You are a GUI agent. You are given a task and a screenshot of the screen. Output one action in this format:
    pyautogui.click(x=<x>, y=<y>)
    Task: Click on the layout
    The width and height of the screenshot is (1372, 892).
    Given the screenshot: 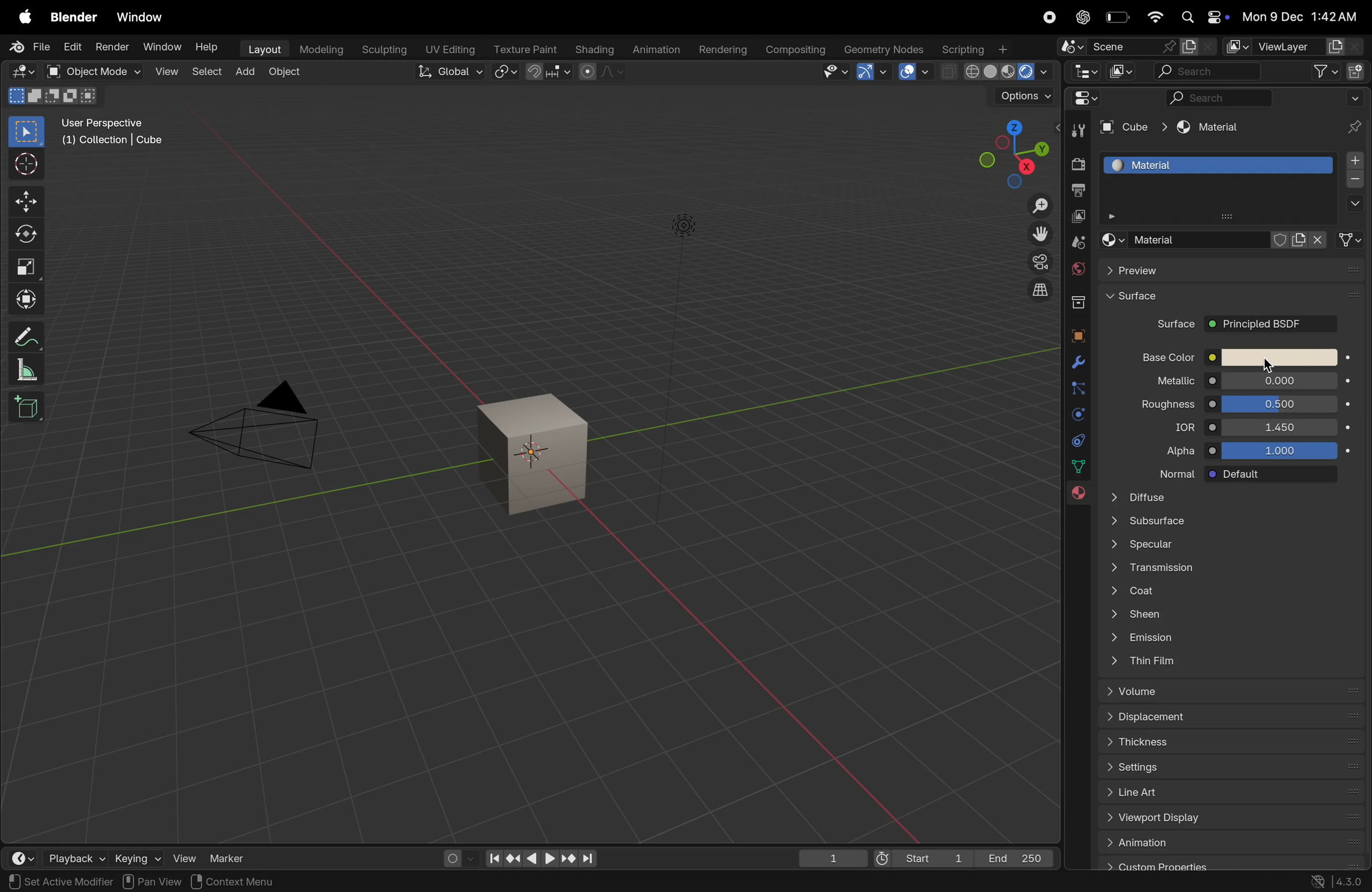 What is the action you would take?
    pyautogui.click(x=263, y=50)
    